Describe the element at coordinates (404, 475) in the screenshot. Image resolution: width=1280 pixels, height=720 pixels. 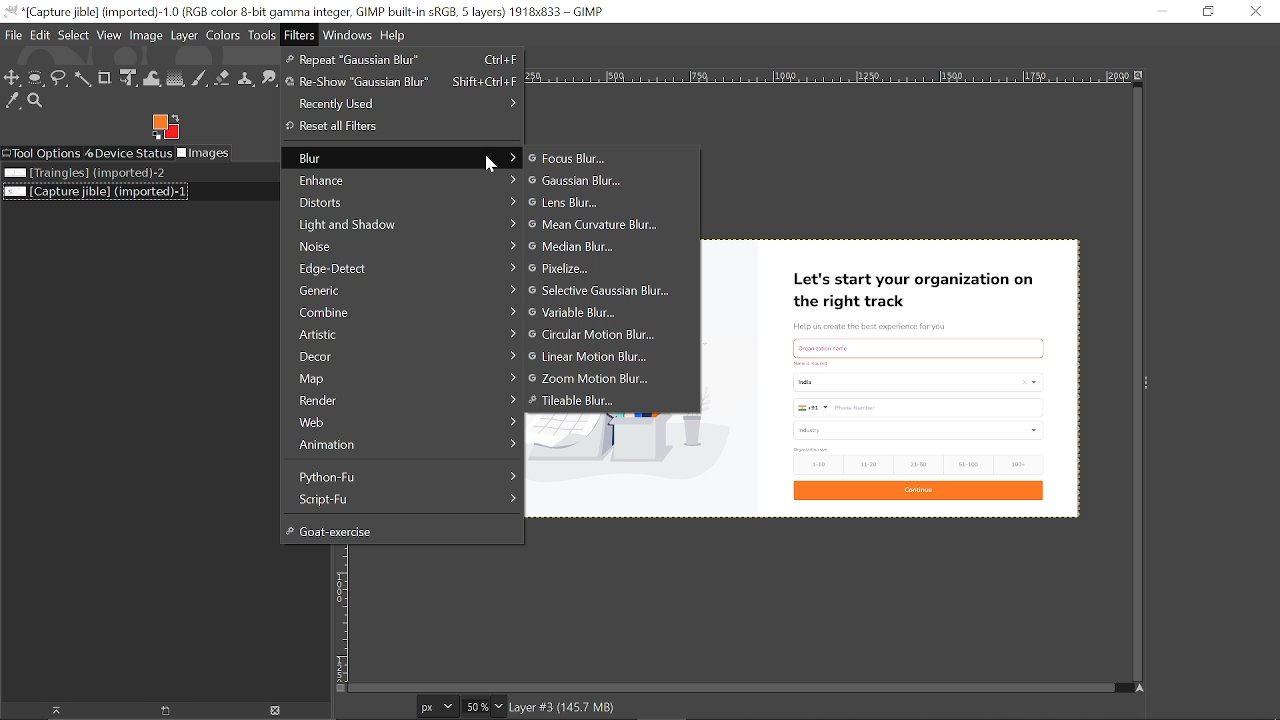
I see `Python-Fu` at that location.